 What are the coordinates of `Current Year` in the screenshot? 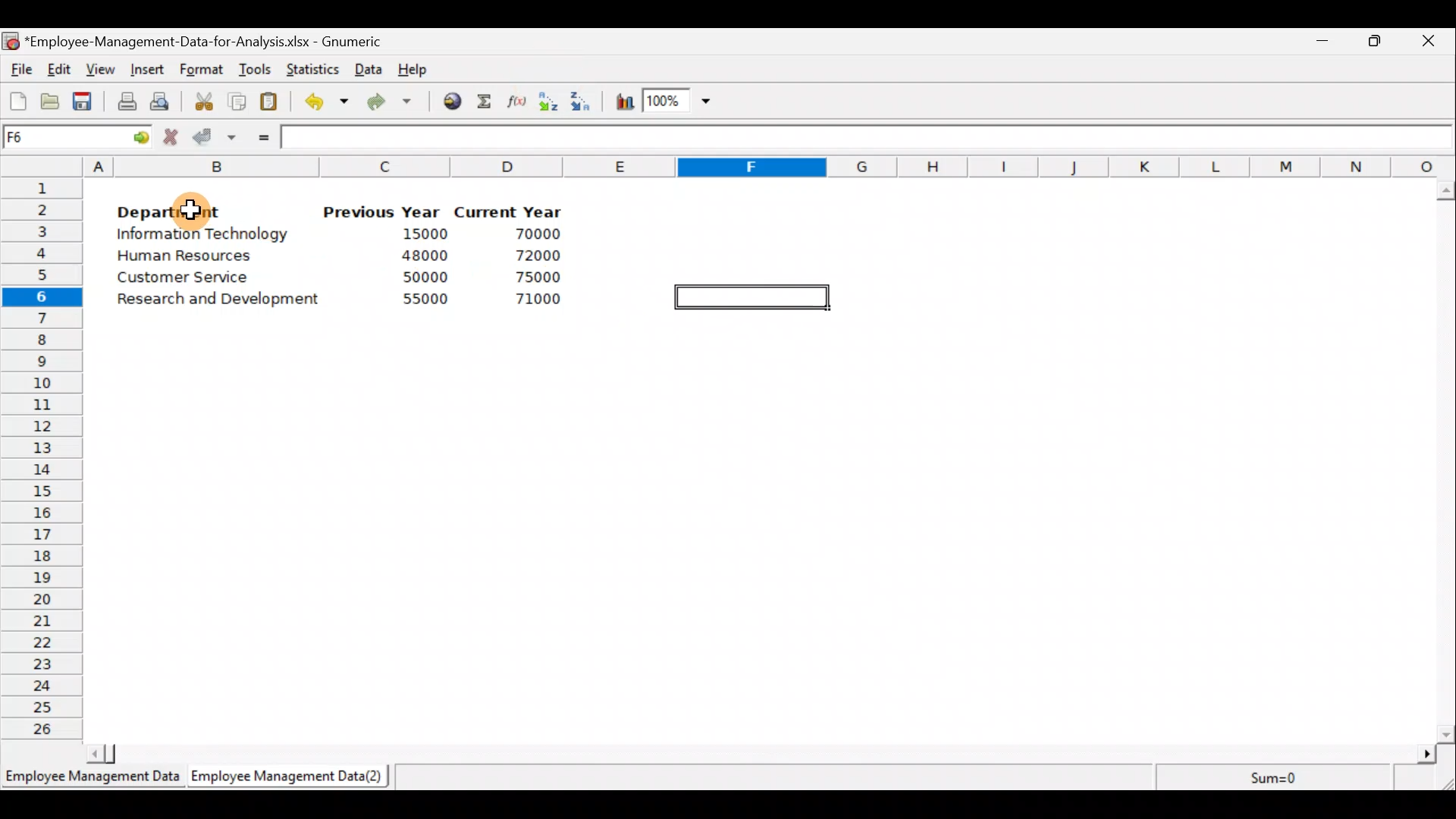 It's located at (514, 210).